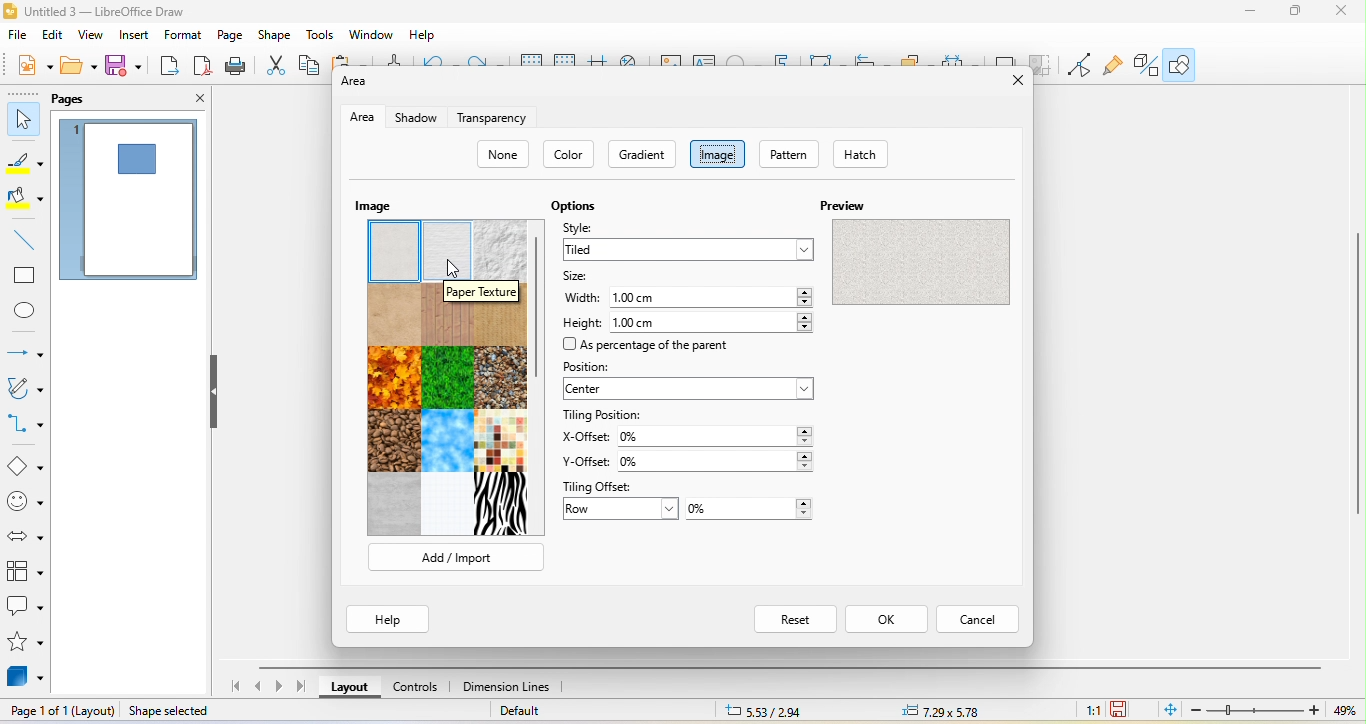  Describe the element at coordinates (585, 462) in the screenshot. I see `y offset` at that location.